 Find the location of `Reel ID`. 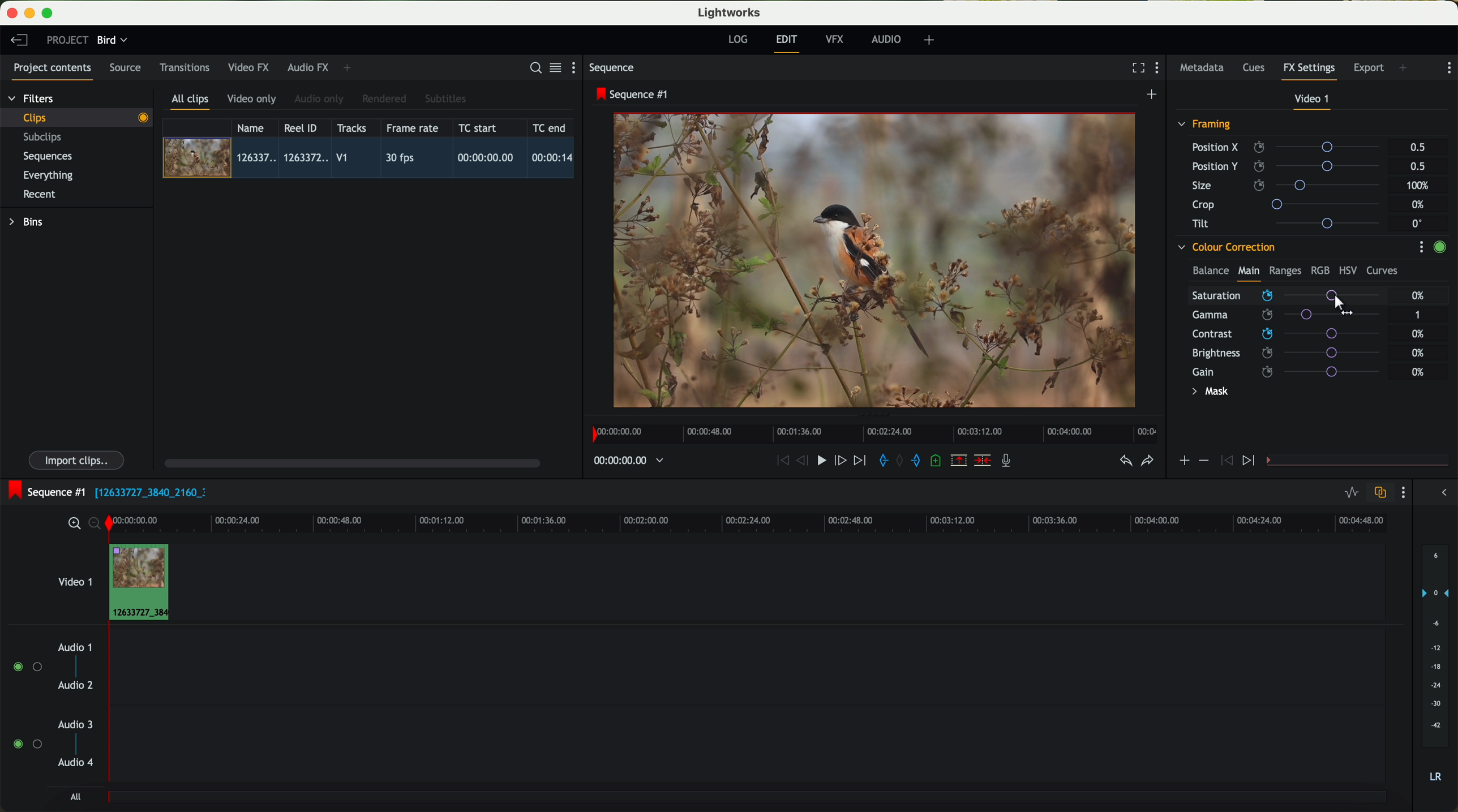

Reel ID is located at coordinates (303, 127).